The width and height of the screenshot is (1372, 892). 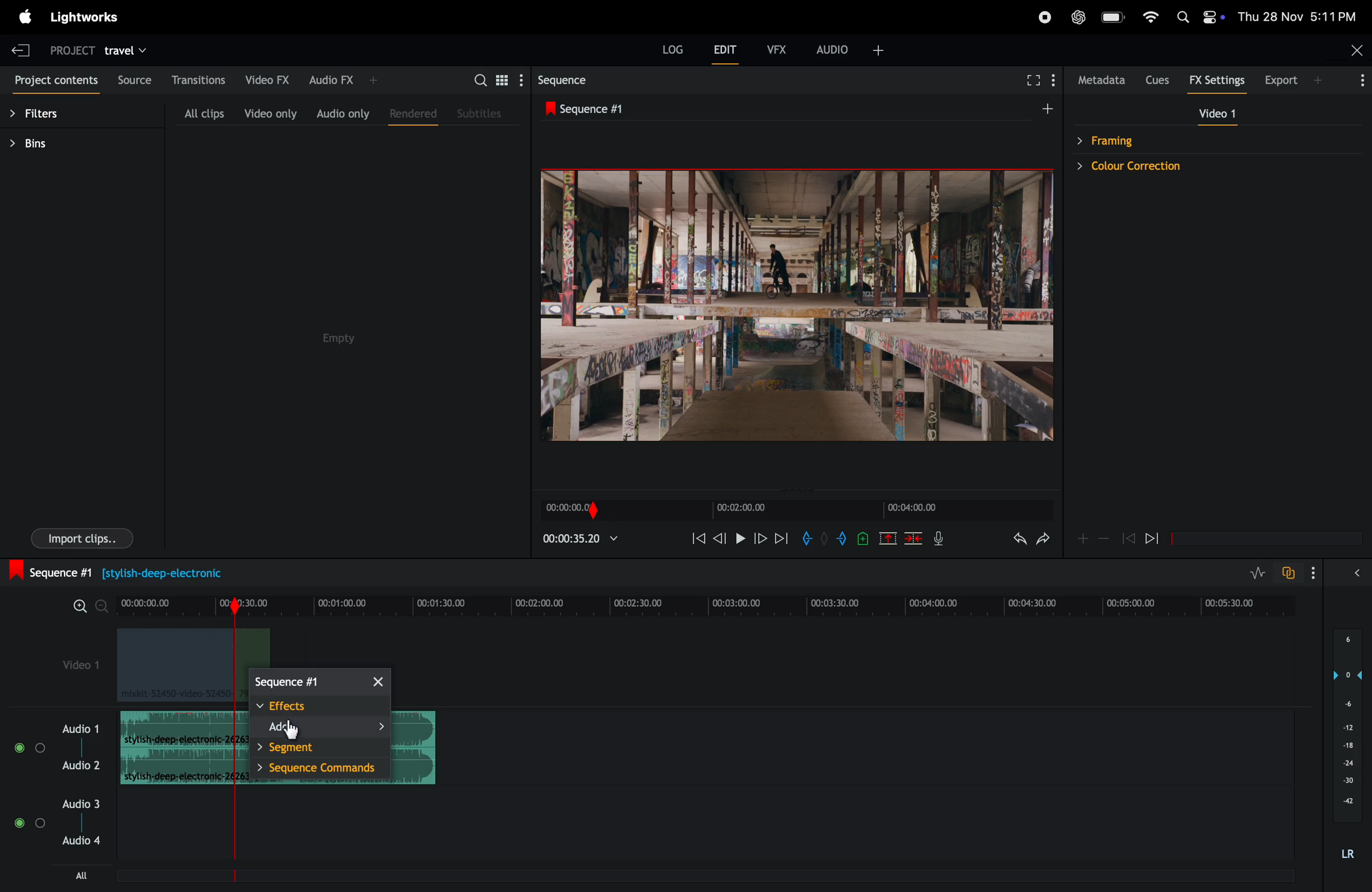 I want to click on time frames, so click(x=706, y=603).